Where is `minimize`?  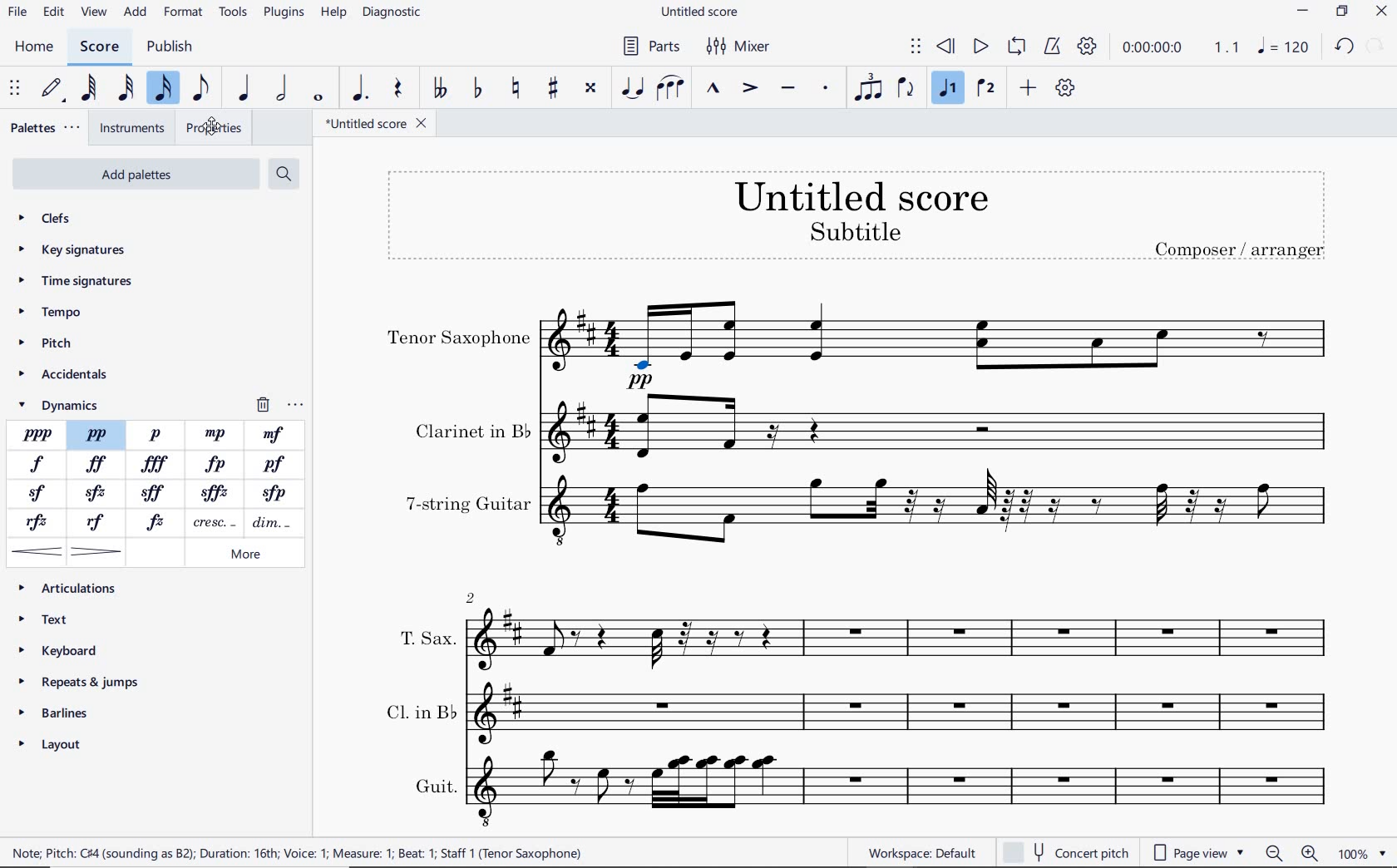 minimize is located at coordinates (1302, 11).